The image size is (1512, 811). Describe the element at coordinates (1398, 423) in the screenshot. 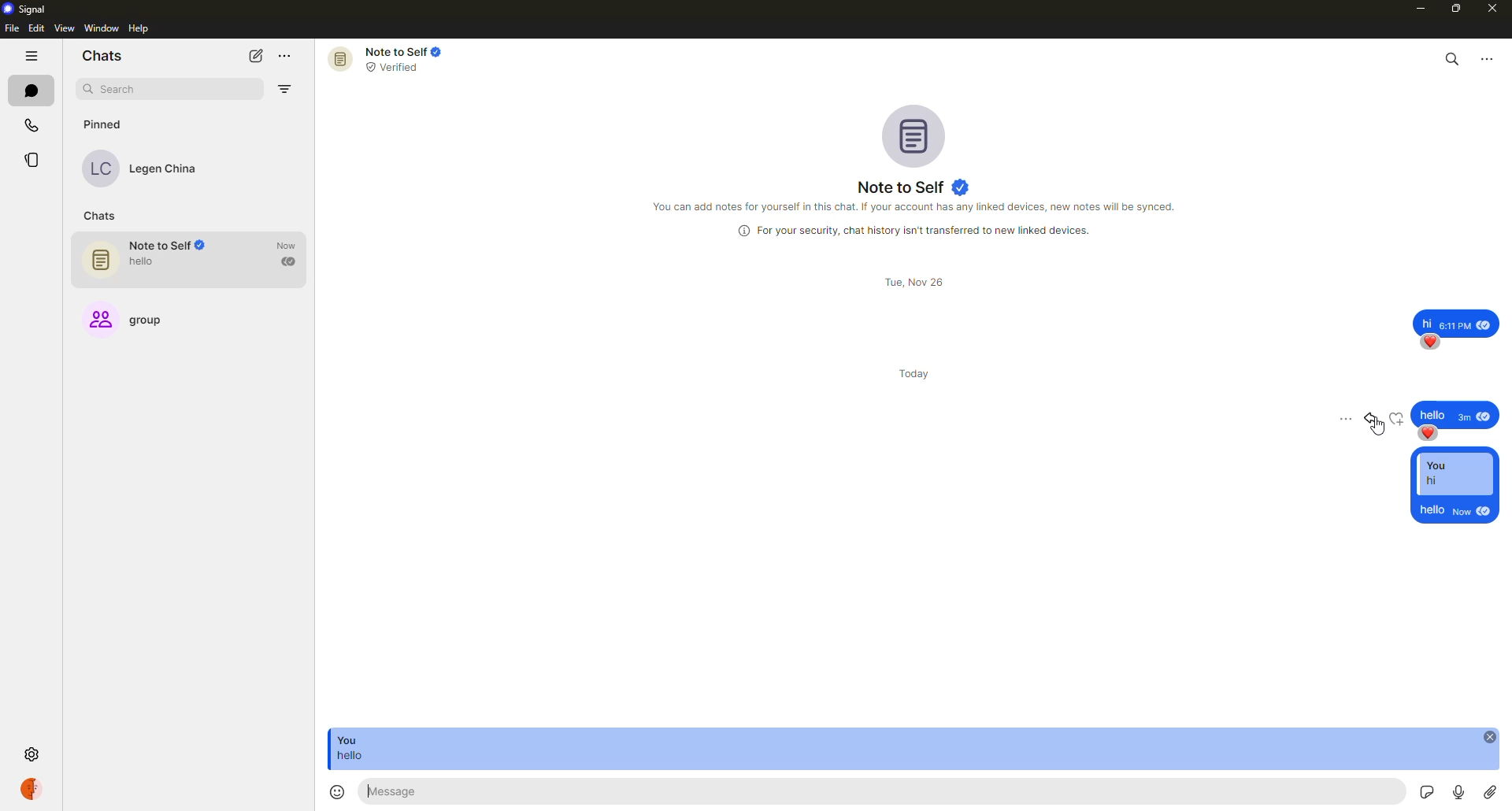

I see `reaction` at that location.